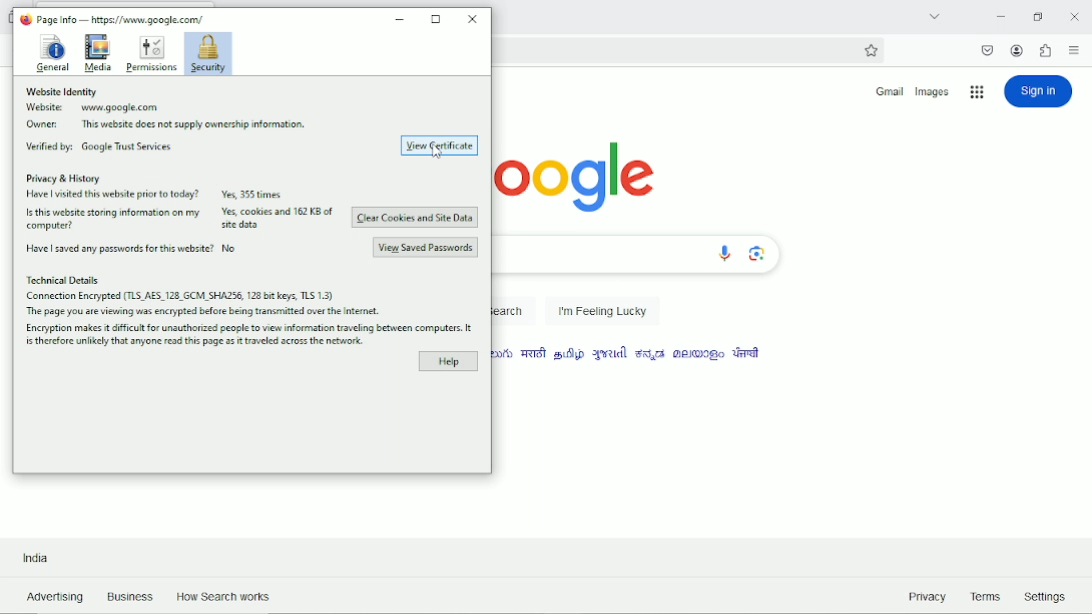 The image size is (1092, 614). Describe the element at coordinates (977, 92) in the screenshot. I see `Google applications` at that location.